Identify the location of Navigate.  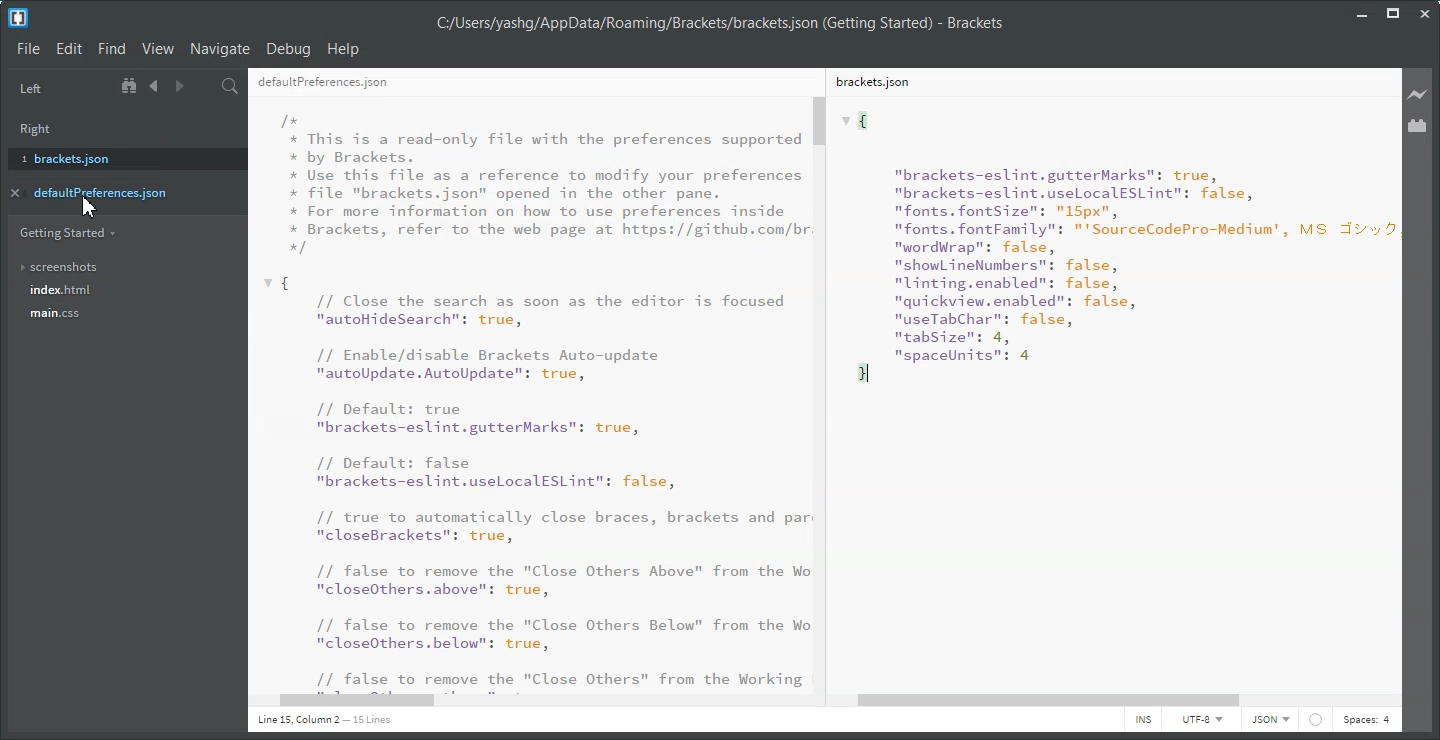
(220, 48).